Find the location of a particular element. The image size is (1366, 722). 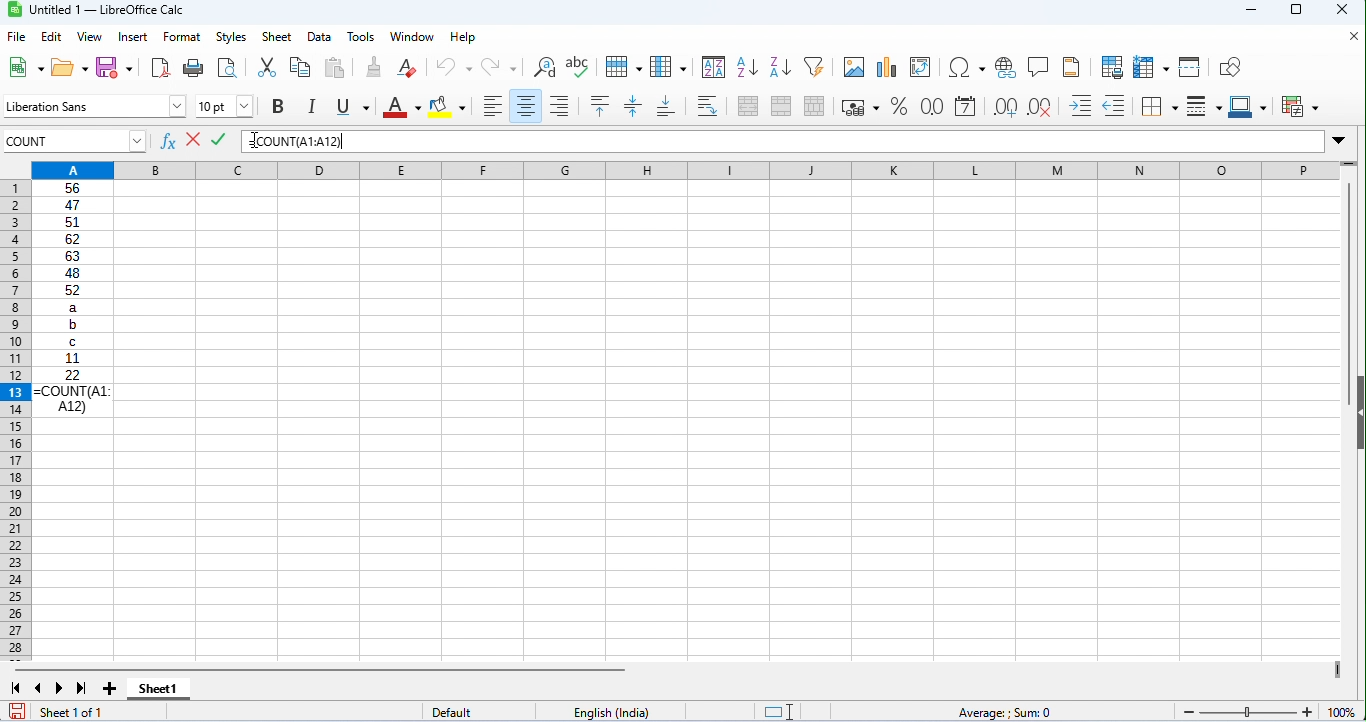

data is located at coordinates (319, 38).